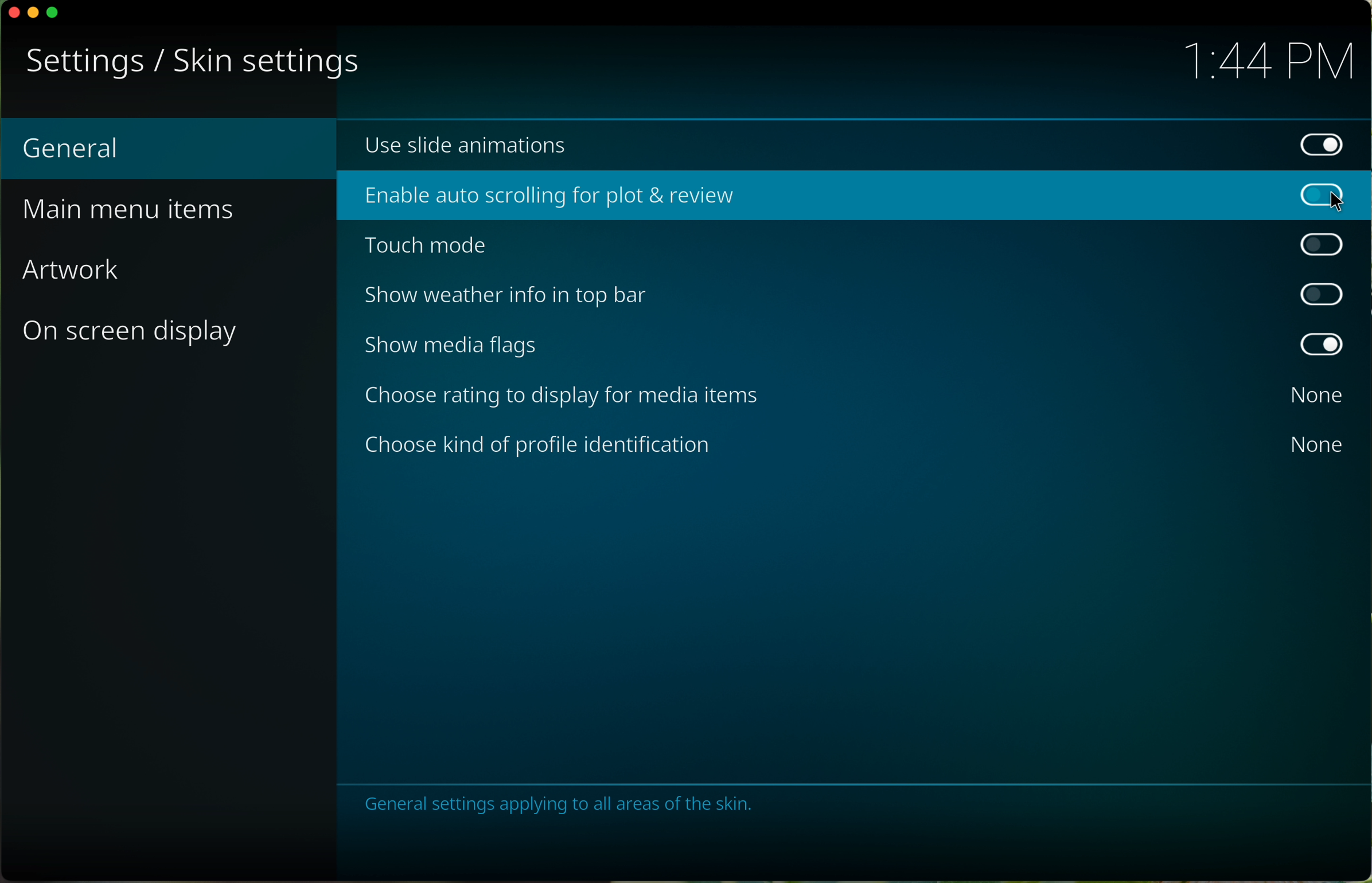 The height and width of the screenshot is (883, 1372). What do you see at coordinates (851, 247) in the screenshot?
I see `disable touch mode` at bounding box center [851, 247].